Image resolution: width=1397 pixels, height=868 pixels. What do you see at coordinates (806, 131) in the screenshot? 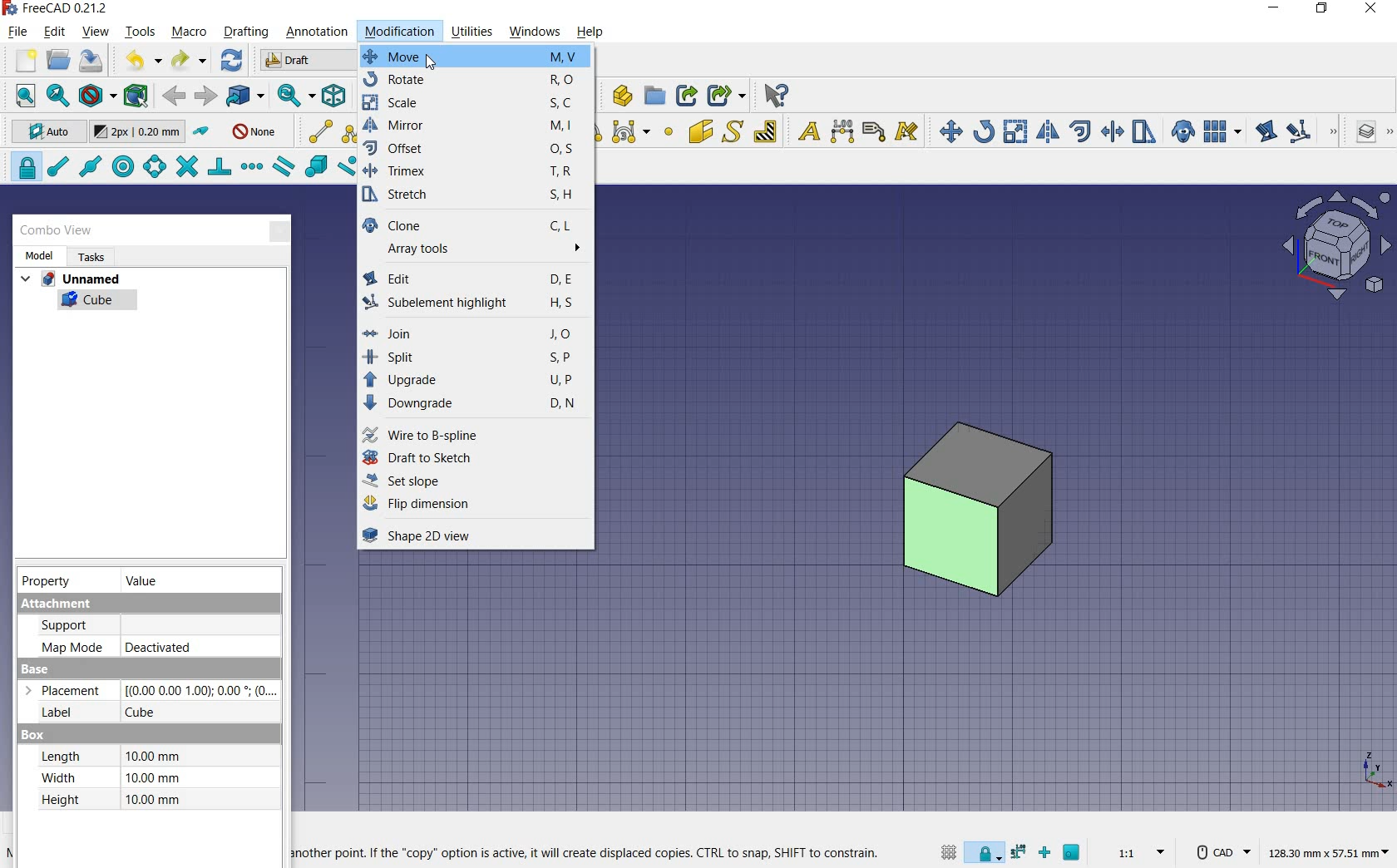
I see `text` at bounding box center [806, 131].